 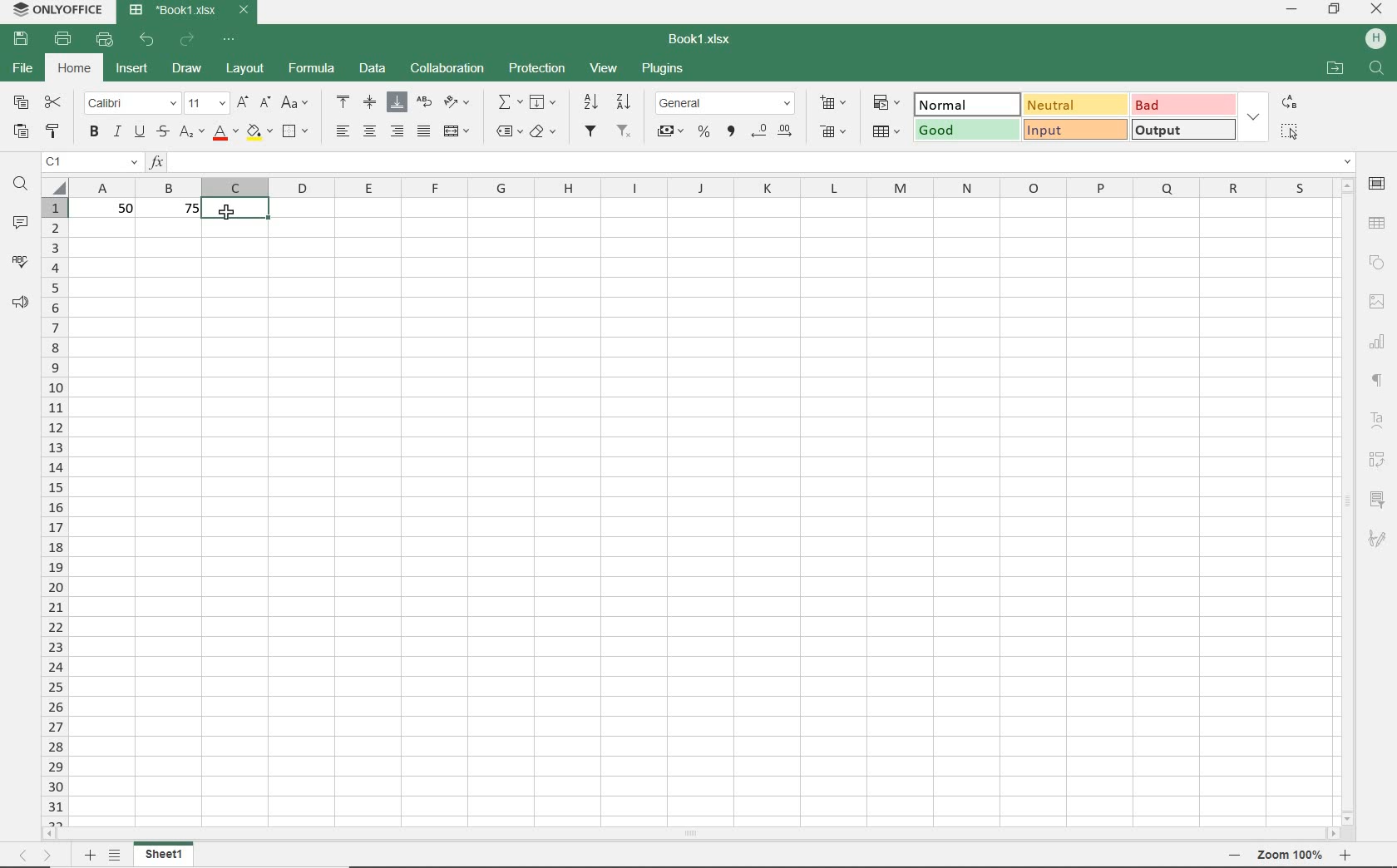 What do you see at coordinates (422, 102) in the screenshot?
I see `wrap text` at bounding box center [422, 102].